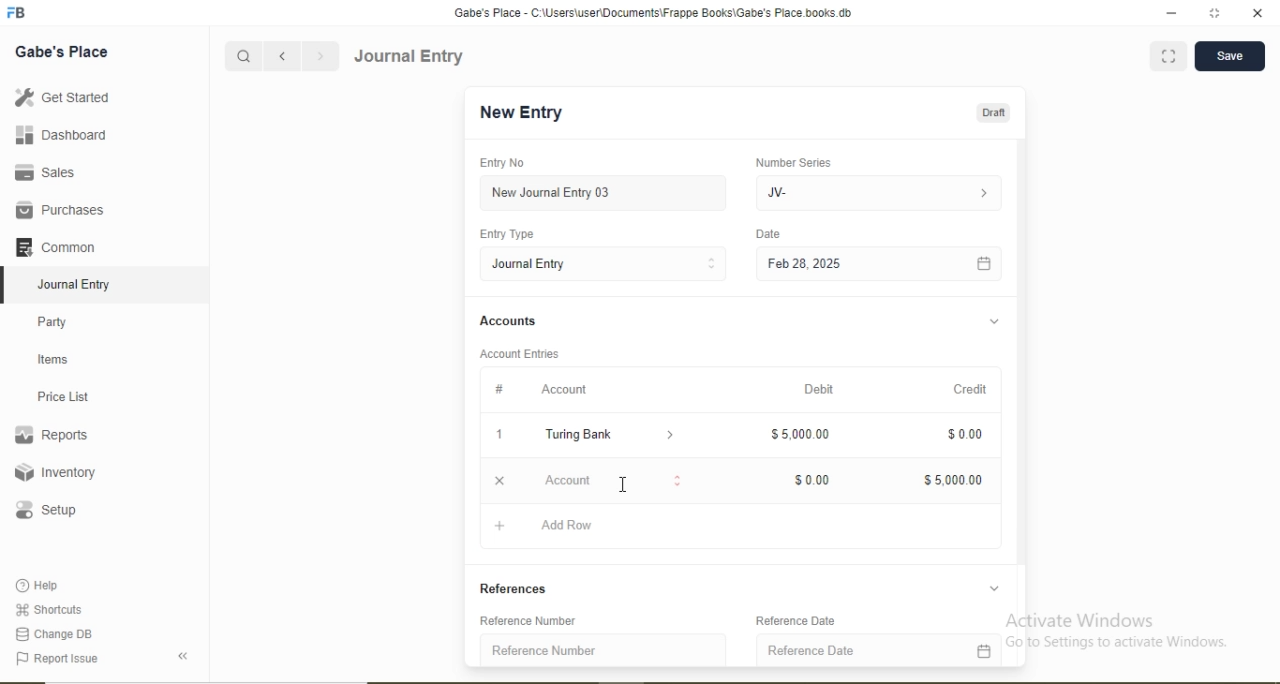 This screenshot has height=684, width=1280. I want to click on Full screen, so click(1169, 55).